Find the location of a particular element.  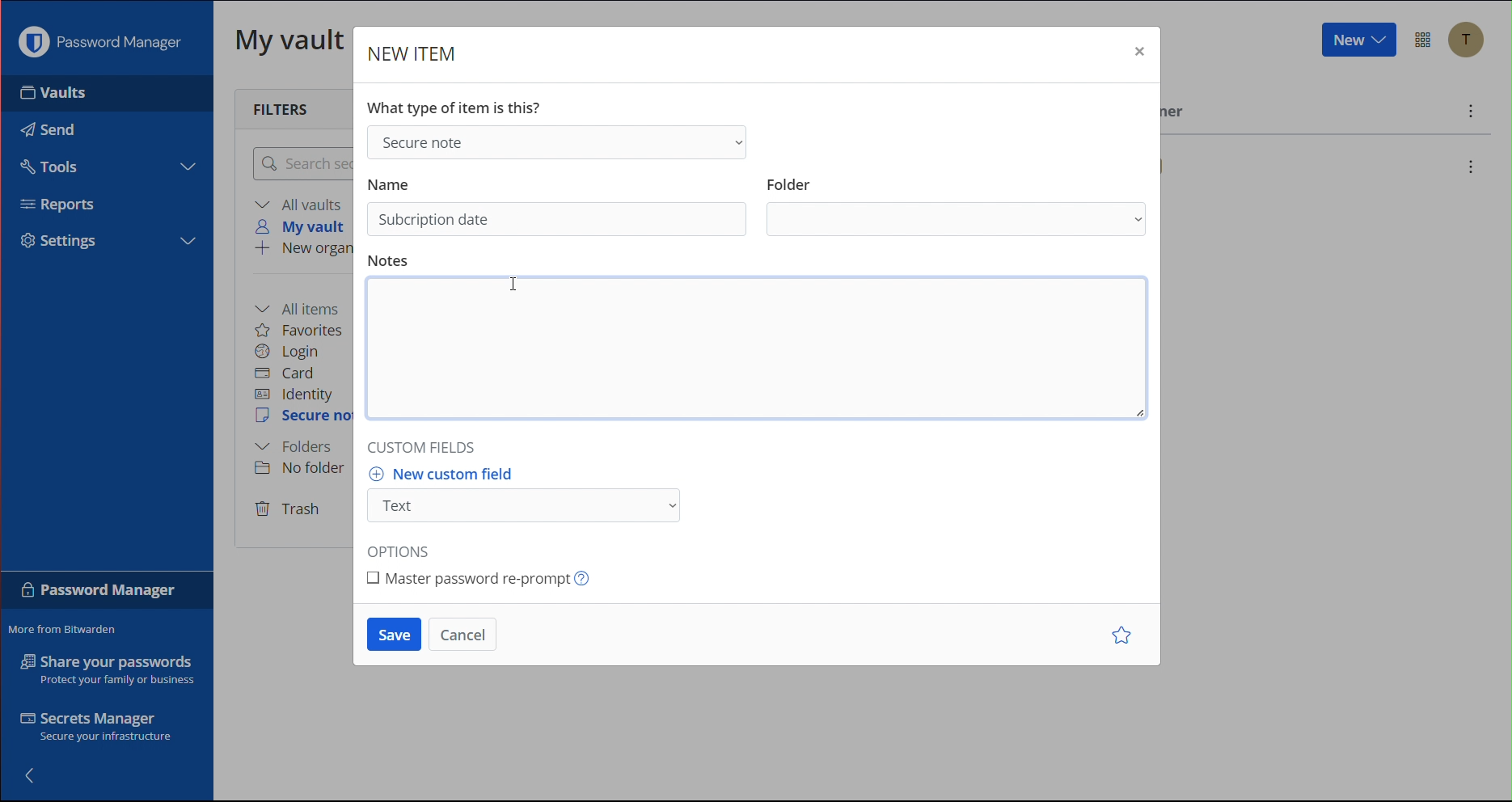

Filters is located at coordinates (285, 108).